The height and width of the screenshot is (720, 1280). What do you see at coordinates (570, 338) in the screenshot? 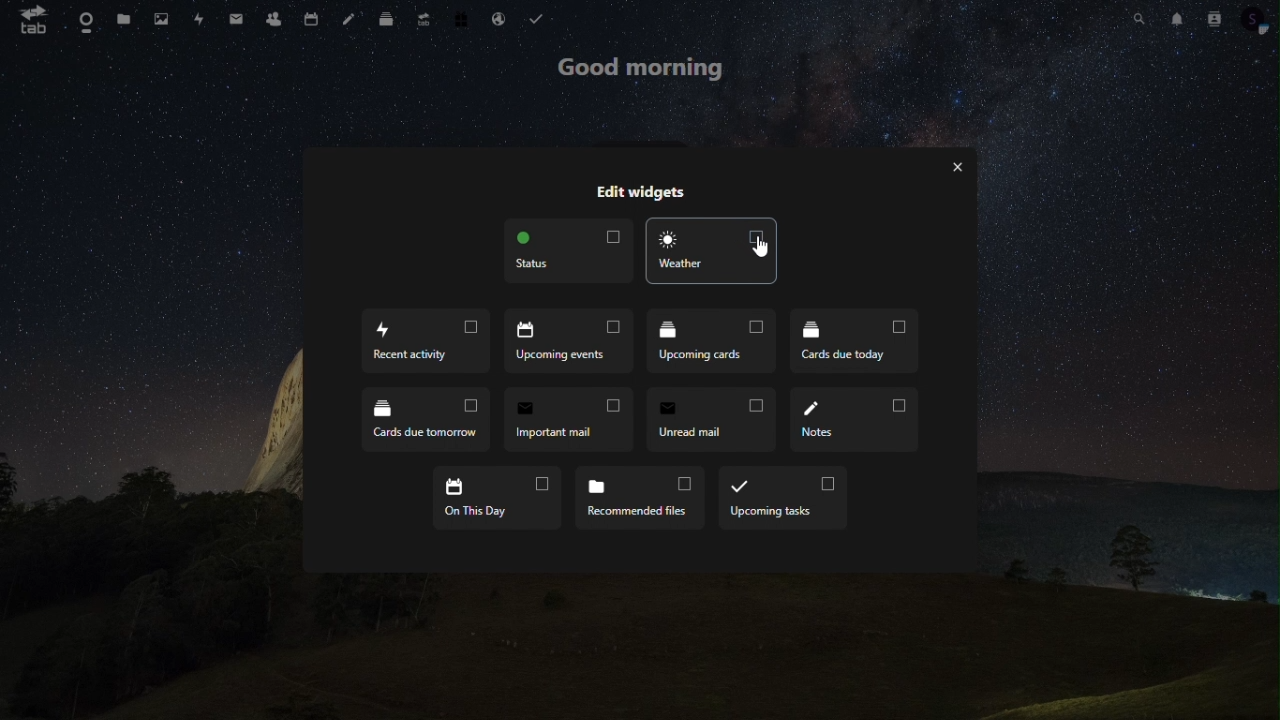
I see `upcoming events` at bounding box center [570, 338].